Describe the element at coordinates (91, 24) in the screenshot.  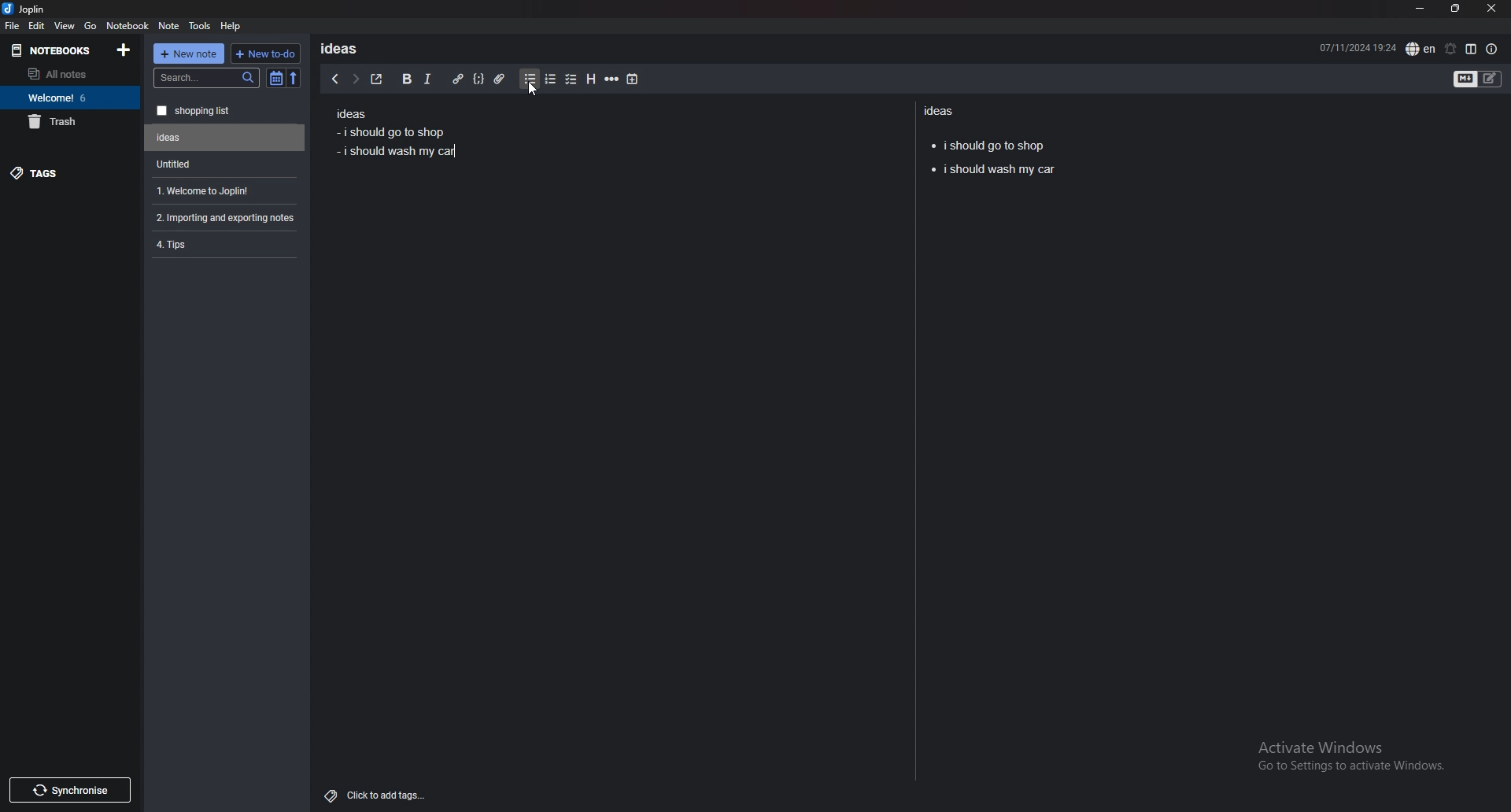
I see `go` at that location.